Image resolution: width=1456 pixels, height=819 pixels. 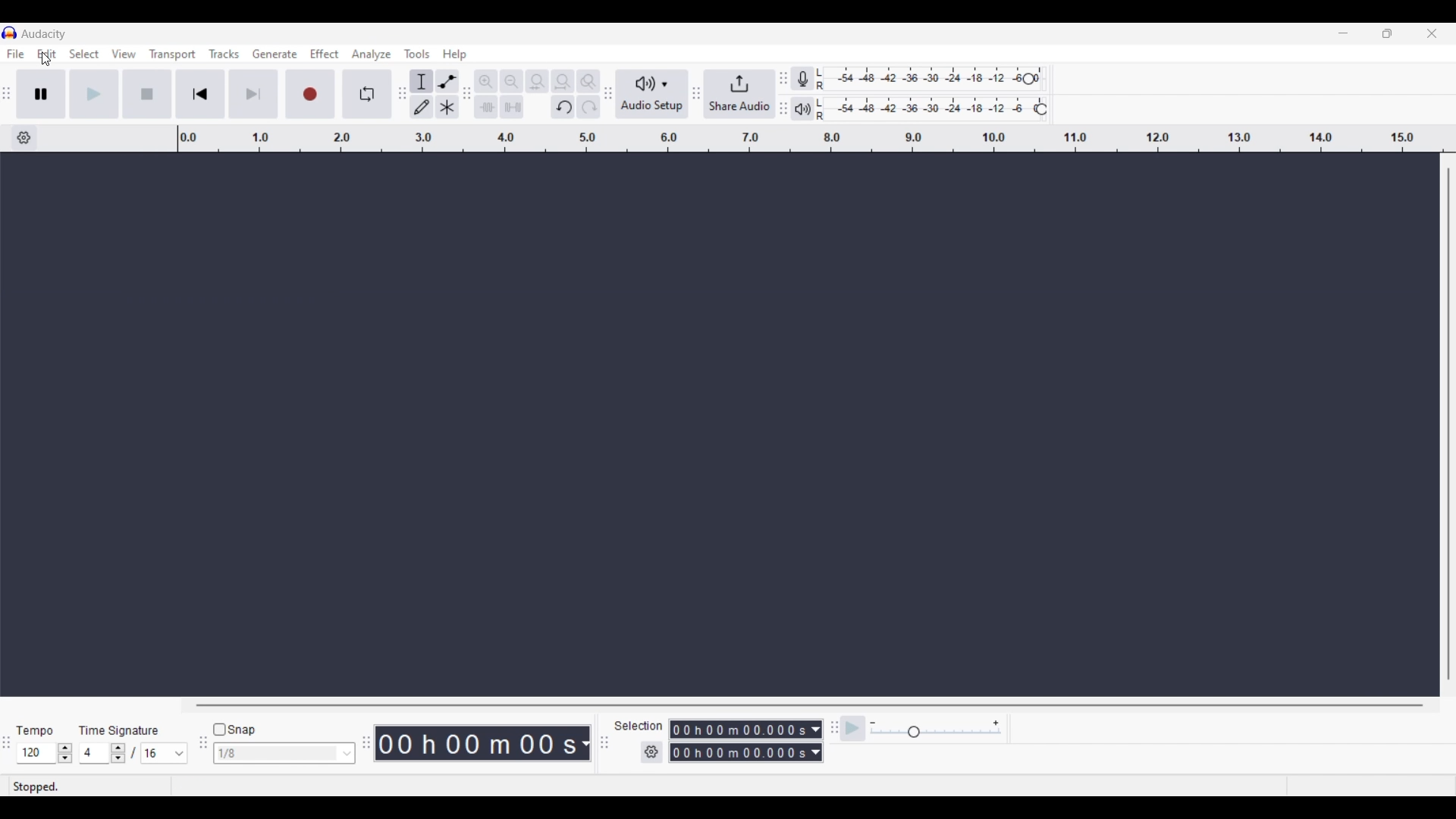 I want to click on Fit selection to width, so click(x=537, y=82).